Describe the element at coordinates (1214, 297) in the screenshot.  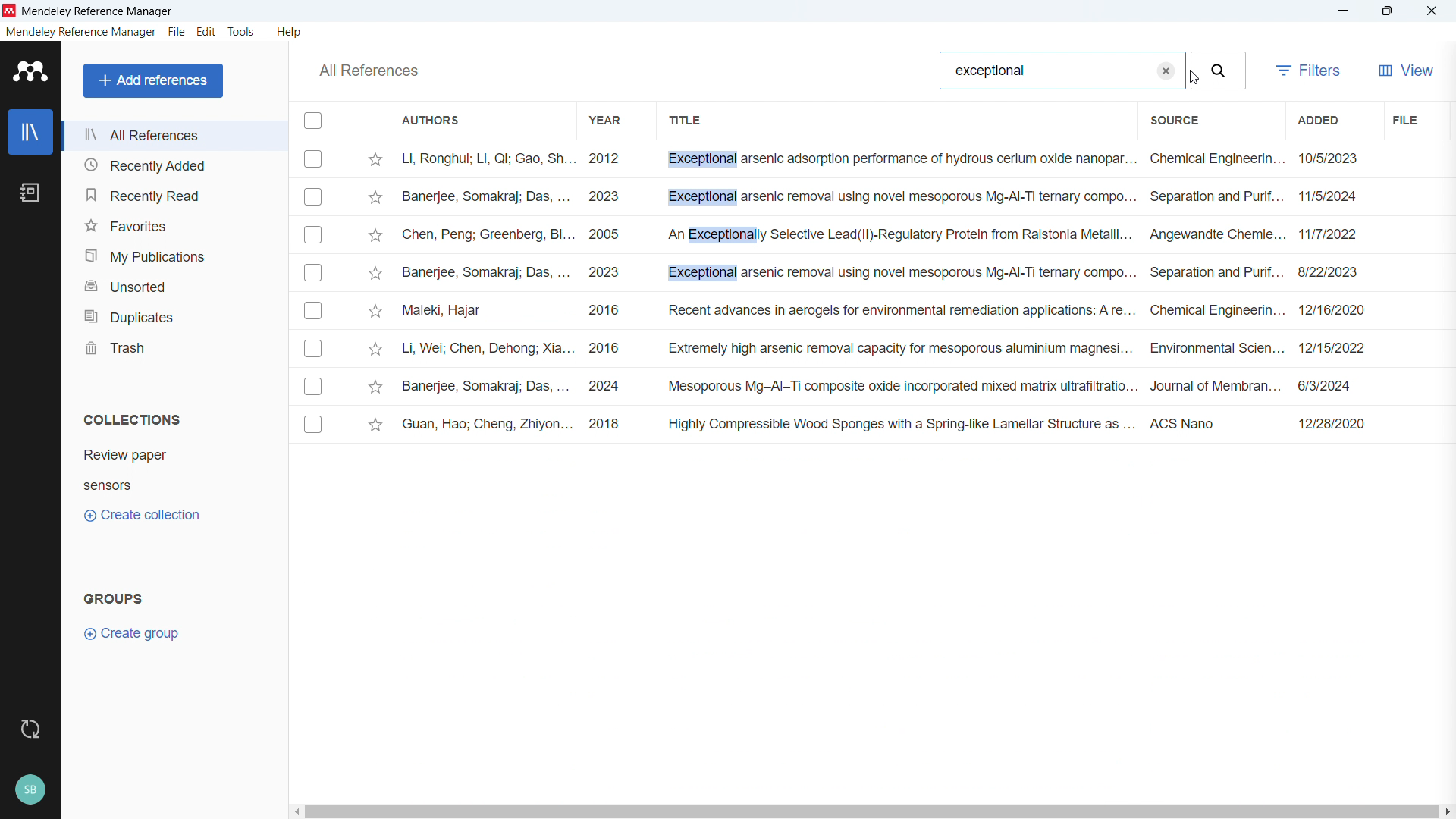
I see `Source of individual entries ` at that location.